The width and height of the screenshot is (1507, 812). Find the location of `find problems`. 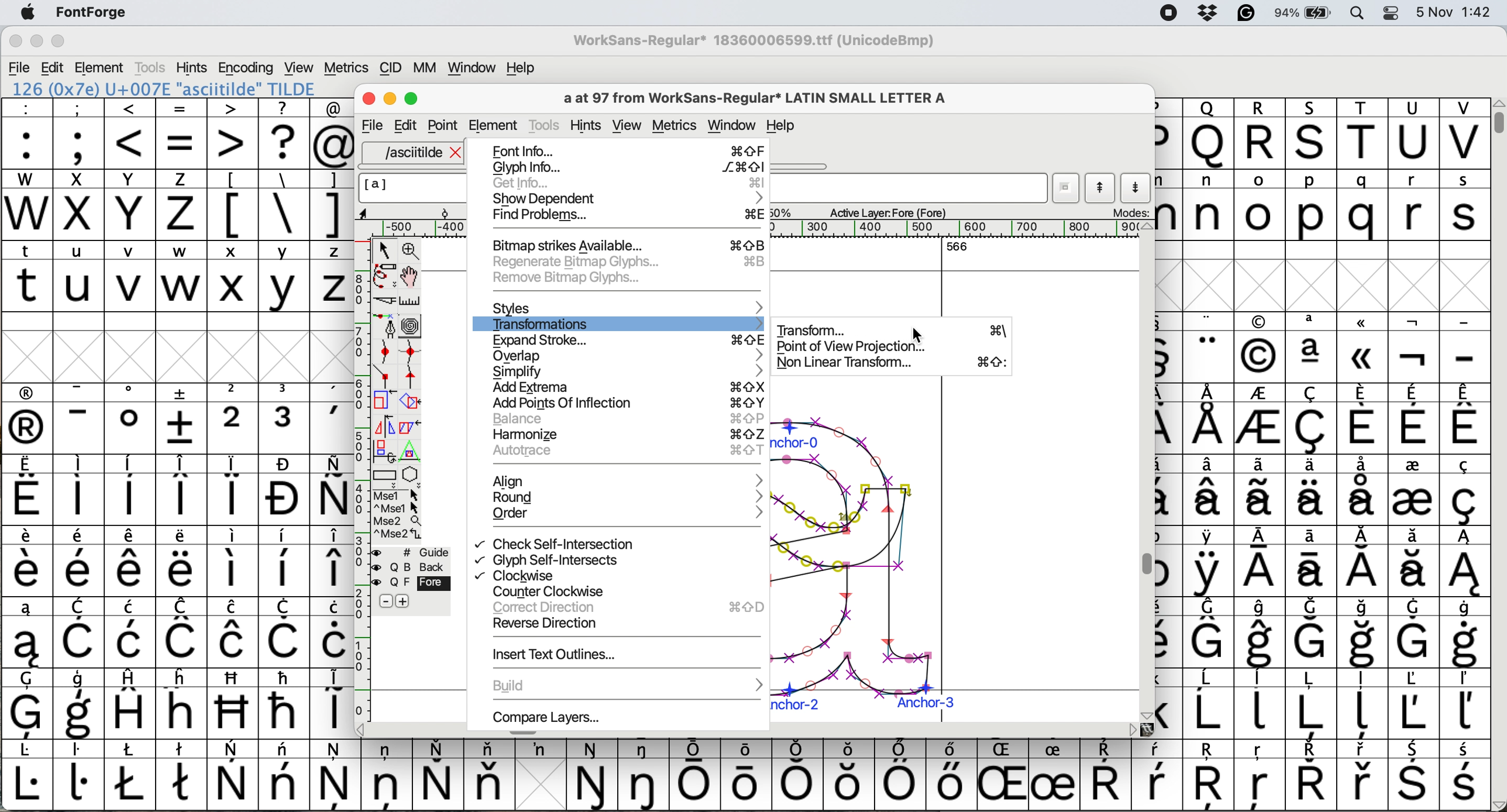

find problems is located at coordinates (627, 215).